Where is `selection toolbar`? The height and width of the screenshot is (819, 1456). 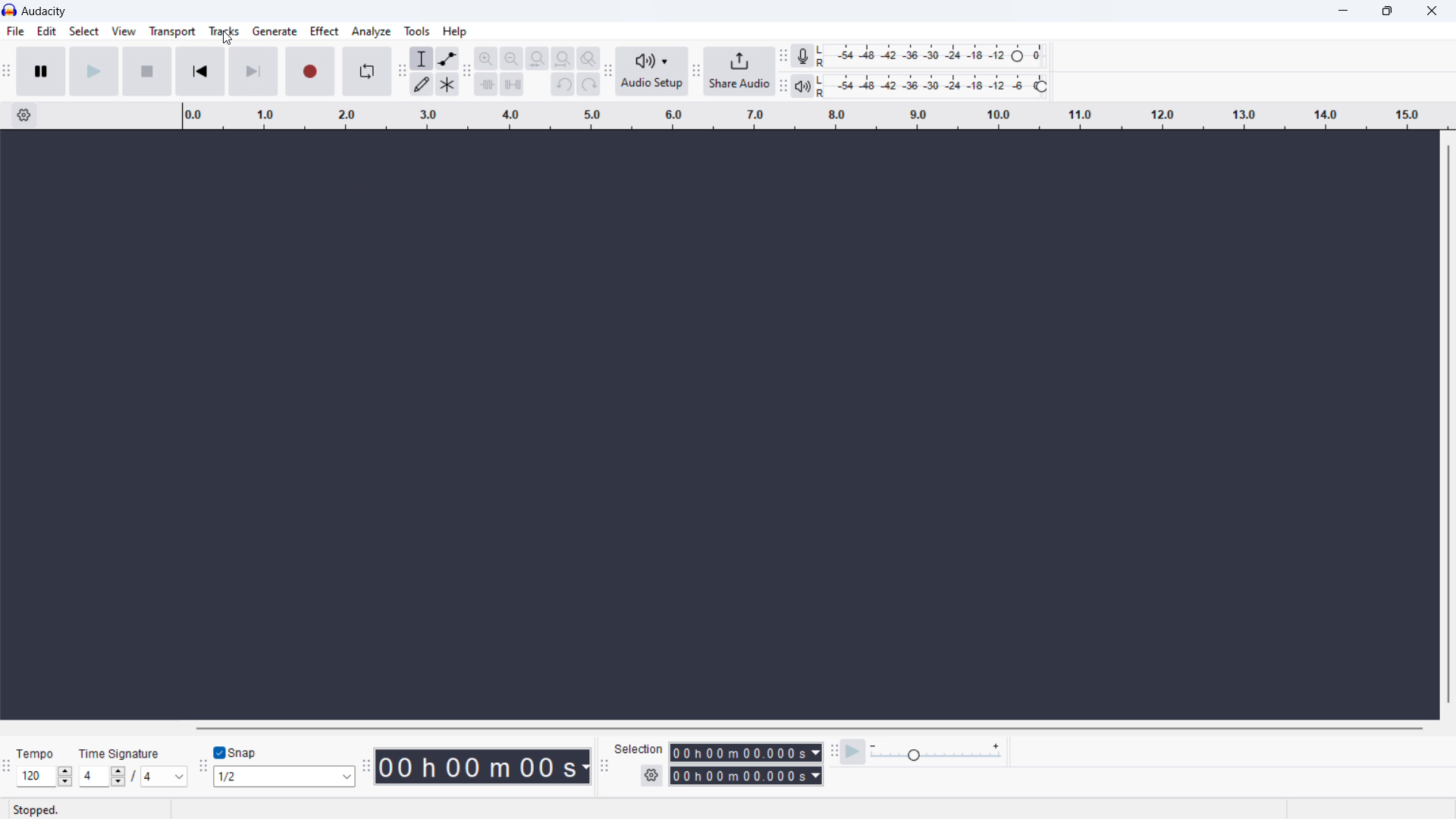
selection toolbar is located at coordinates (605, 767).